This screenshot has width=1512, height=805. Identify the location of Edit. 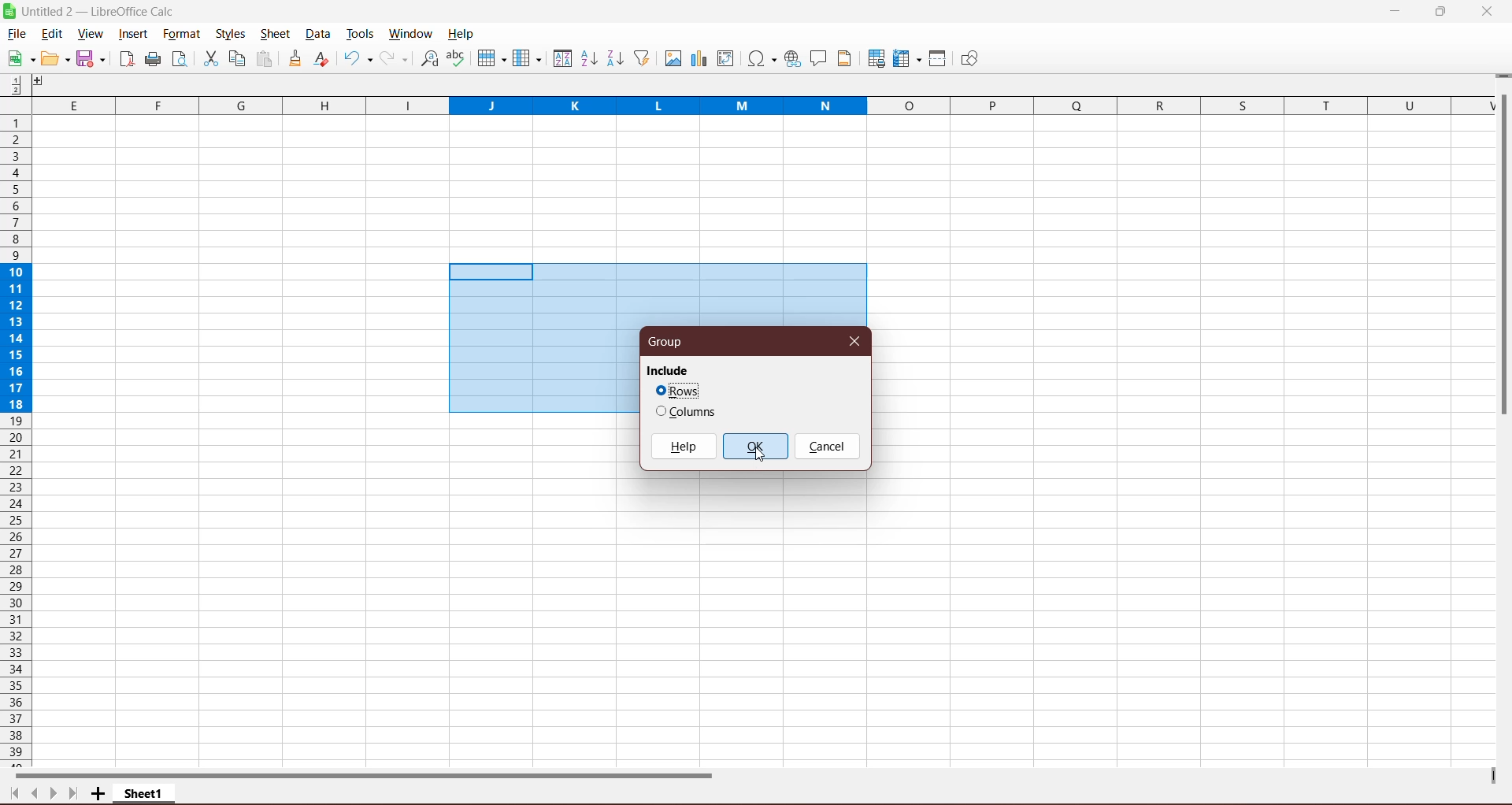
(53, 35).